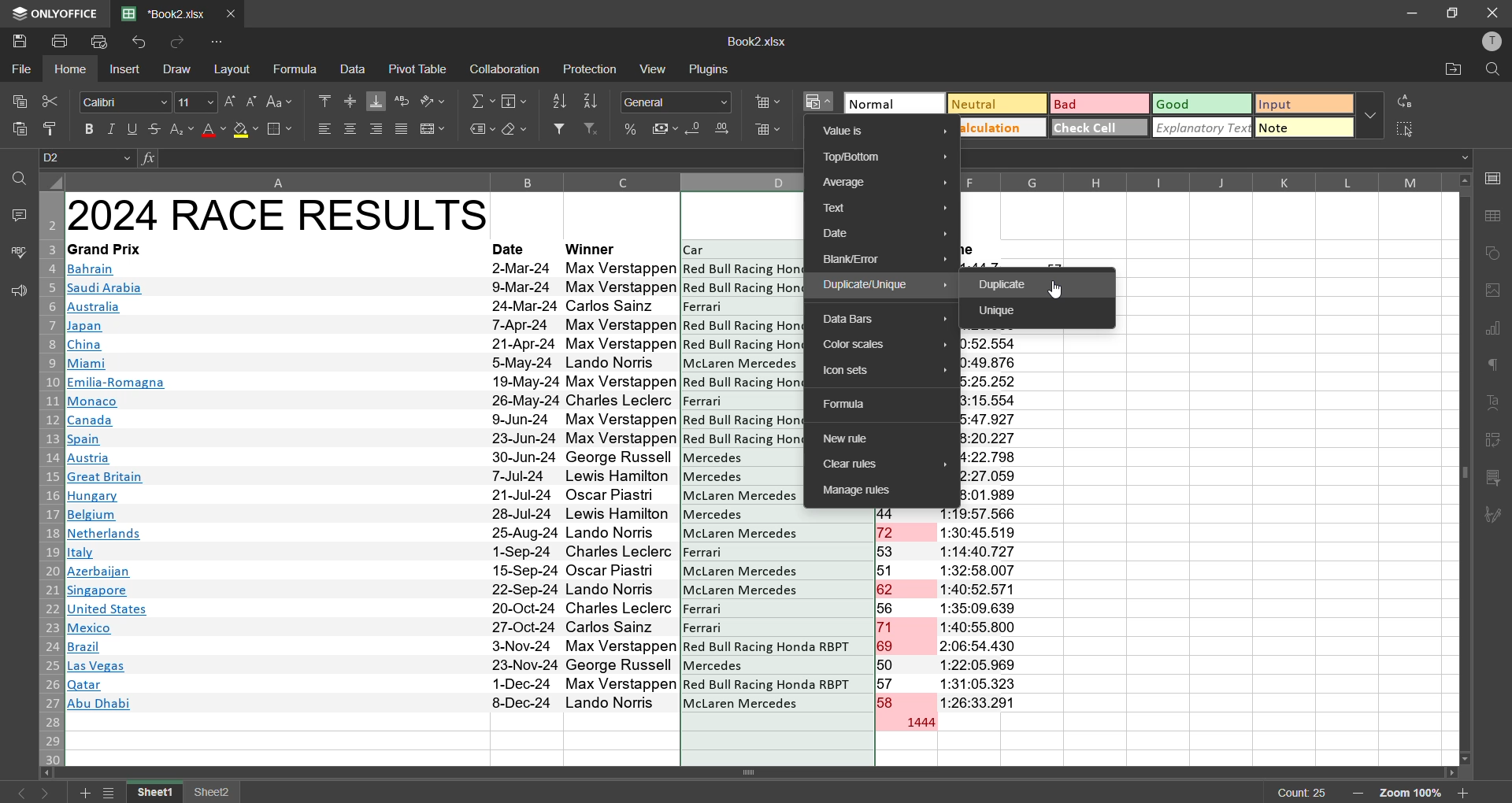 The image size is (1512, 803). What do you see at coordinates (594, 248) in the screenshot?
I see `winner` at bounding box center [594, 248].